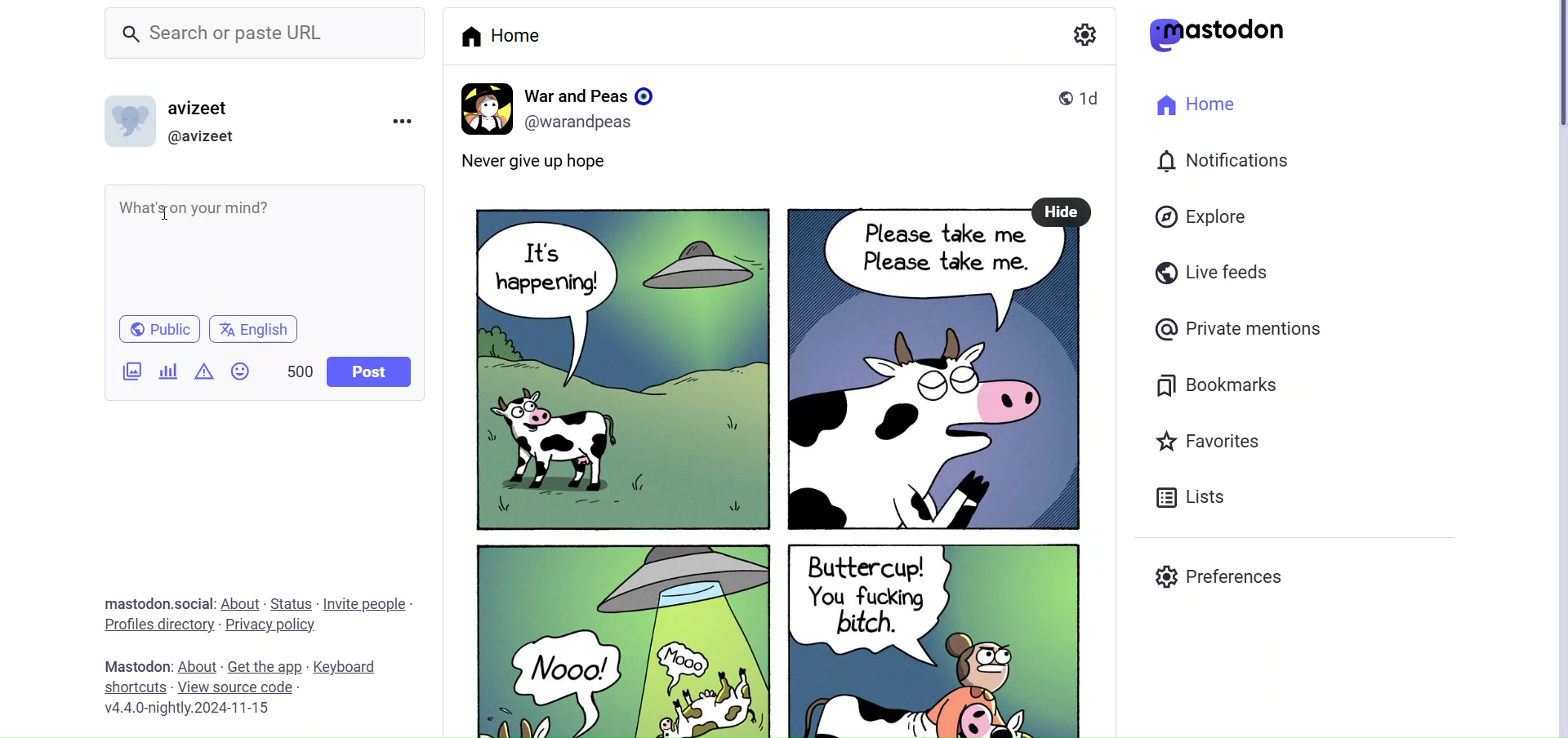 Image resolution: width=1568 pixels, height=738 pixels. Describe the element at coordinates (200, 371) in the screenshot. I see `Content Warning` at that location.